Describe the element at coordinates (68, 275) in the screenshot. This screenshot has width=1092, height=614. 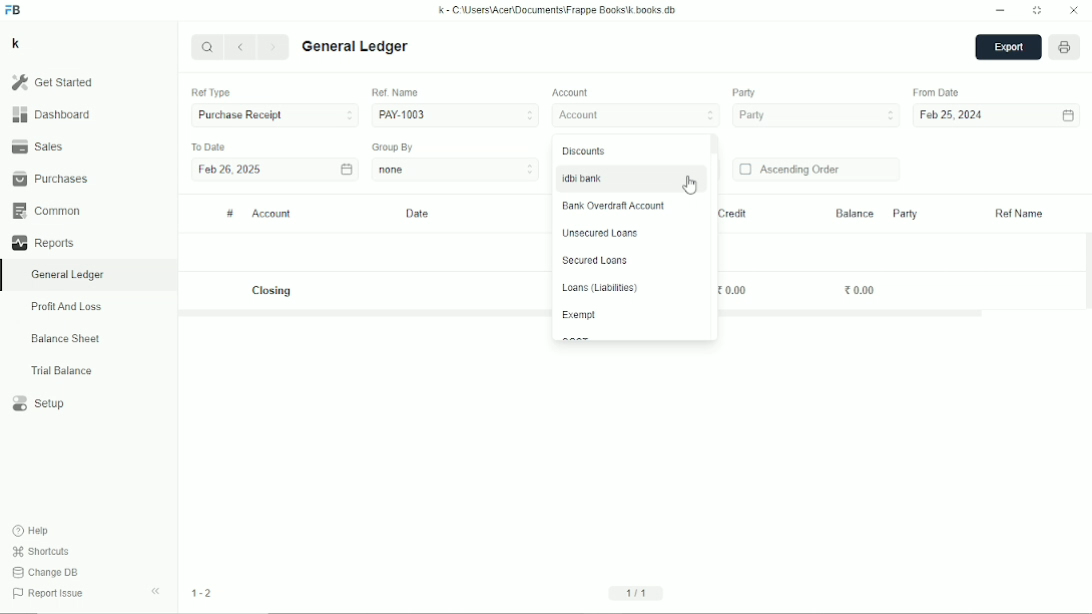
I see `General ledger` at that location.